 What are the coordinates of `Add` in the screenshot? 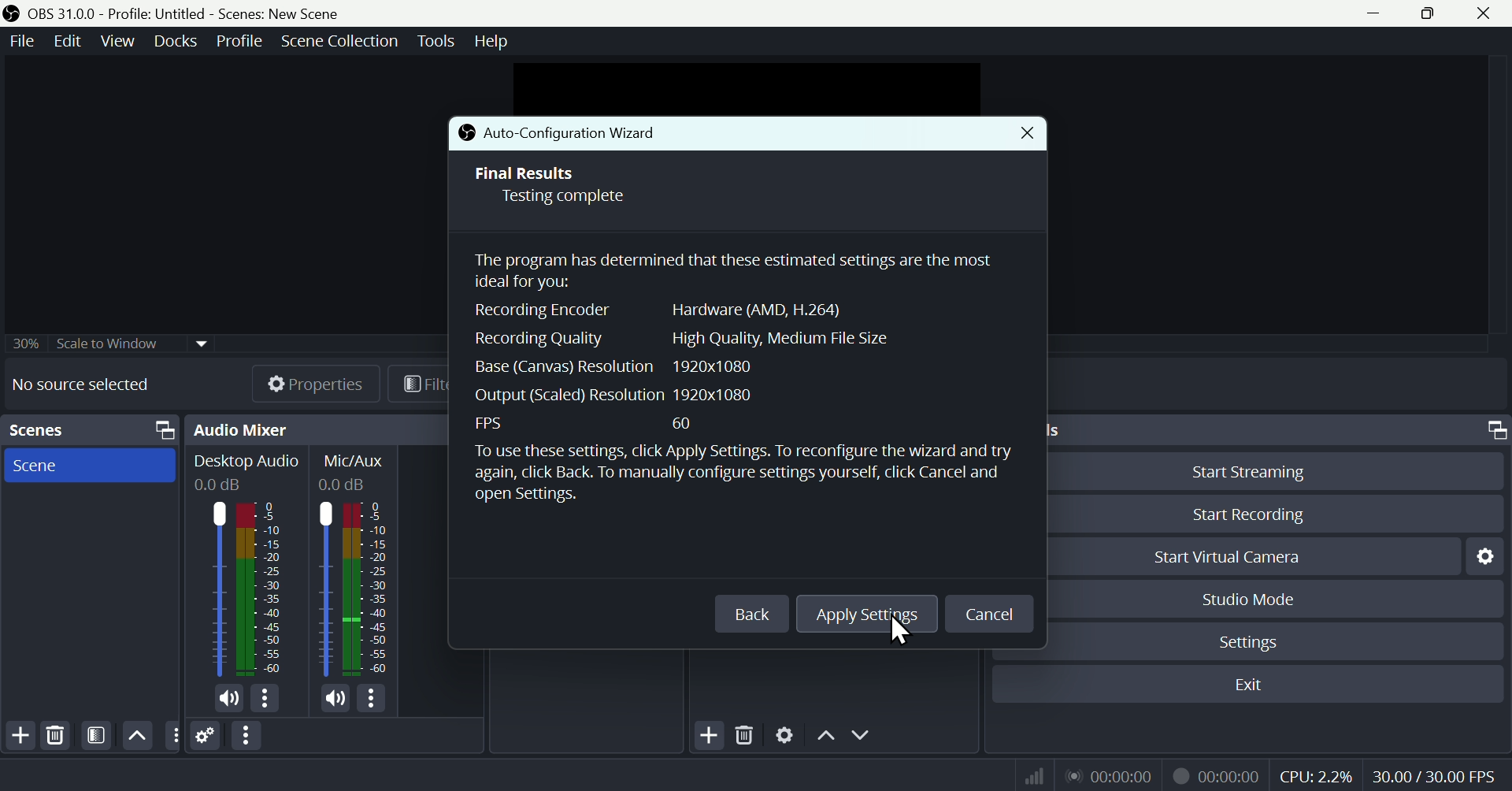 It's located at (707, 733).